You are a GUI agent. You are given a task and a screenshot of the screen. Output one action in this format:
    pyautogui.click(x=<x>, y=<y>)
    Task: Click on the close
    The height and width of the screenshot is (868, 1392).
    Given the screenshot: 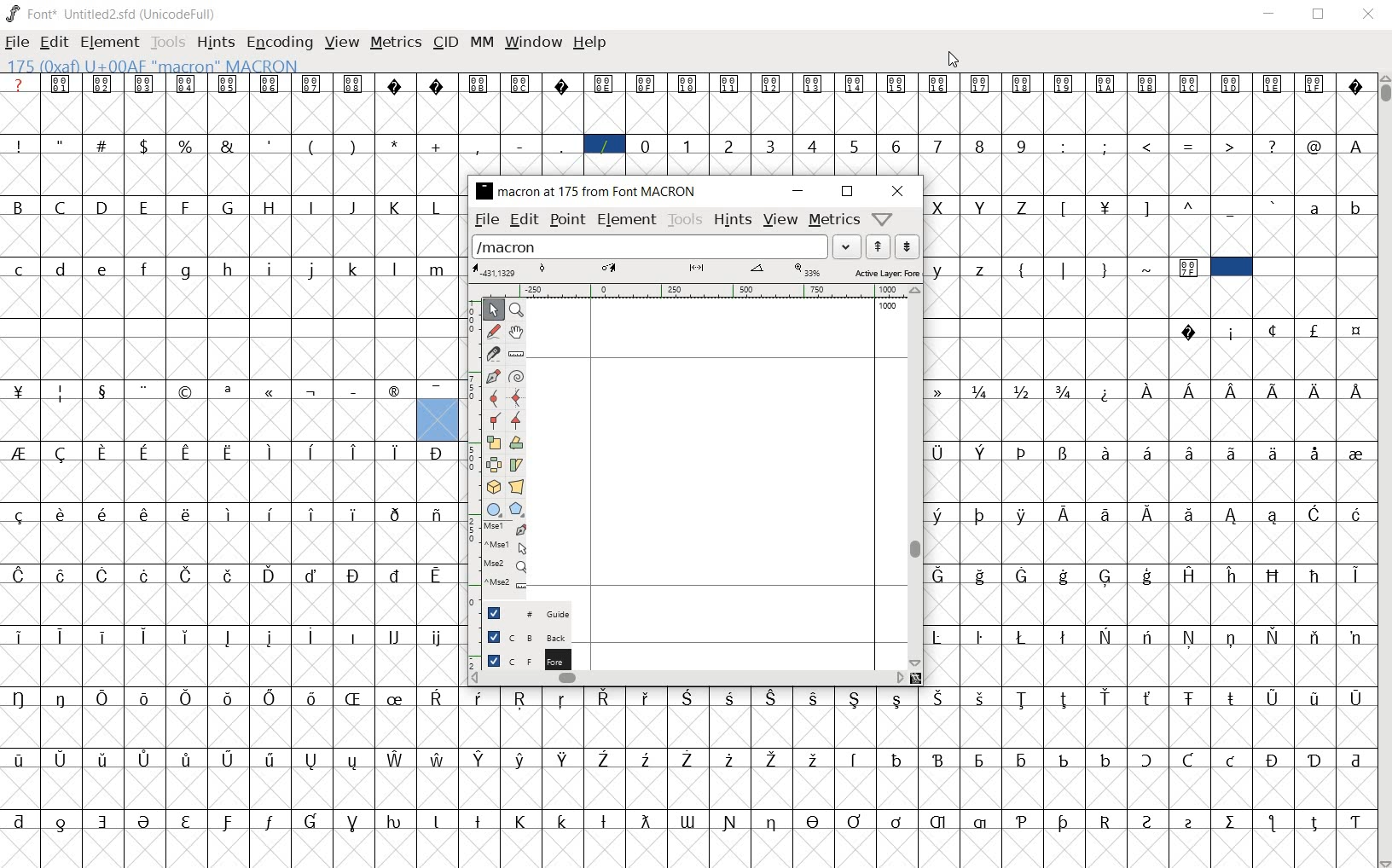 What is the action you would take?
    pyautogui.click(x=895, y=190)
    